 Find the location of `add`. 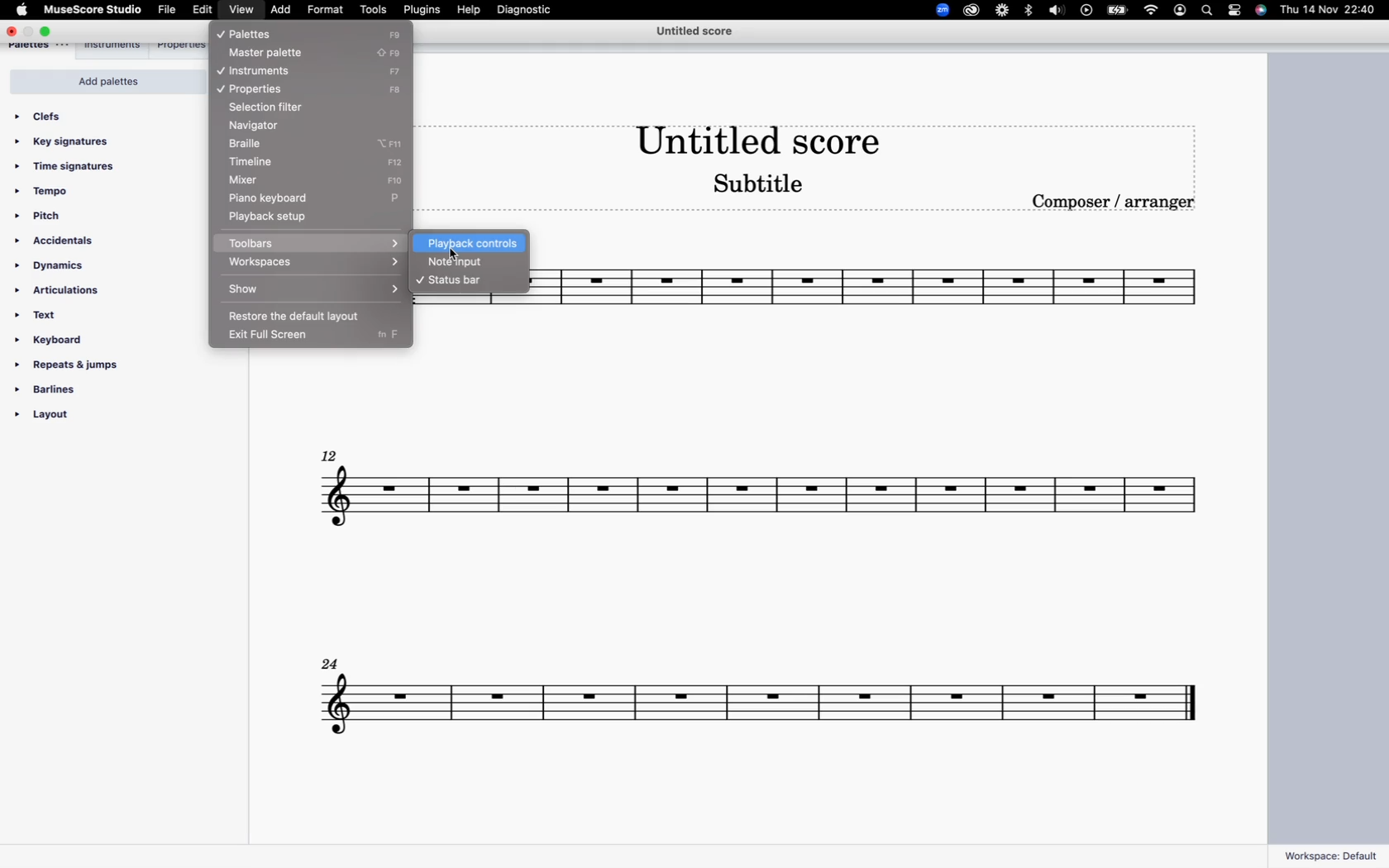

add is located at coordinates (281, 10).